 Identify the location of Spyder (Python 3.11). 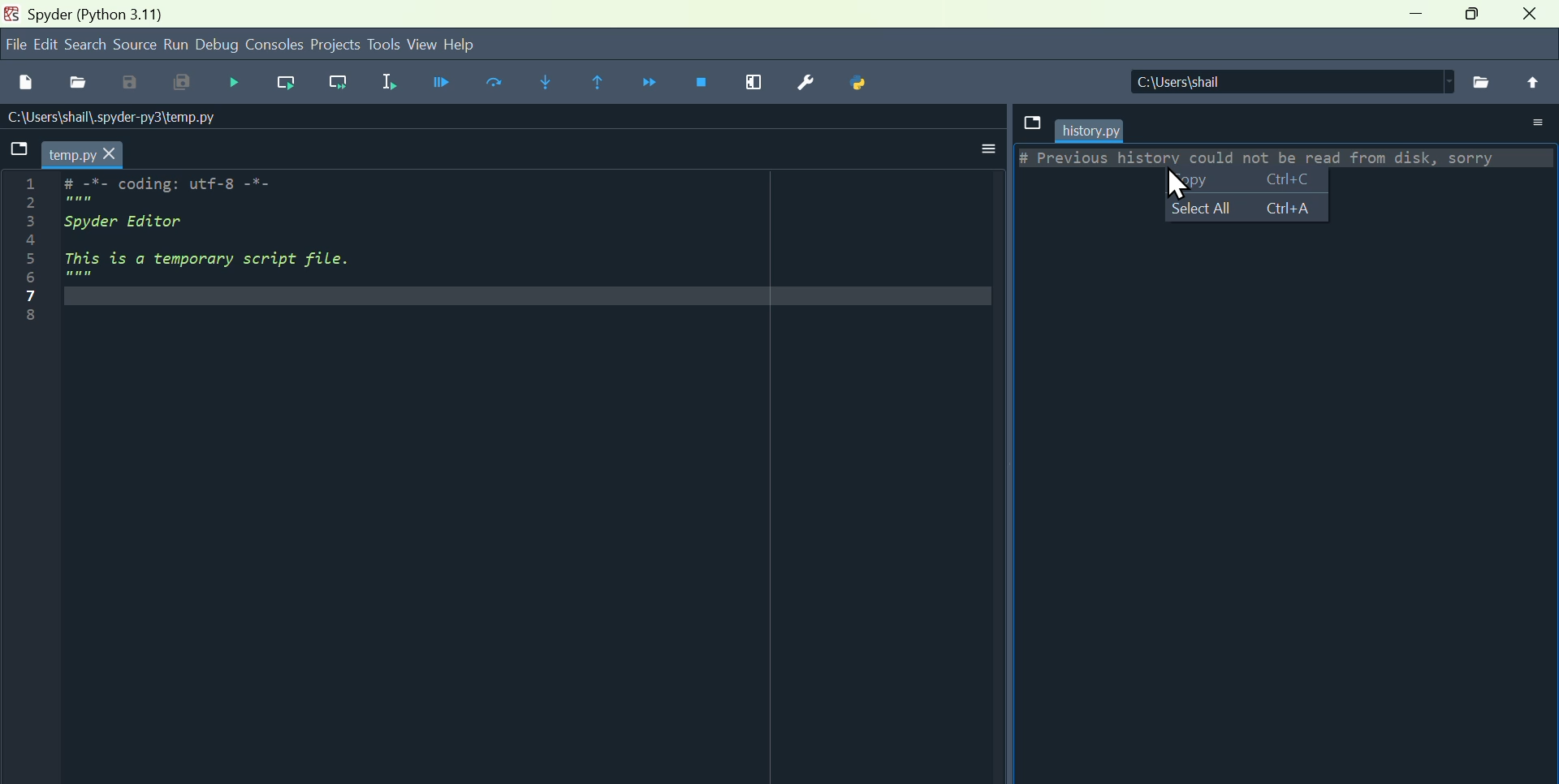
(99, 14).